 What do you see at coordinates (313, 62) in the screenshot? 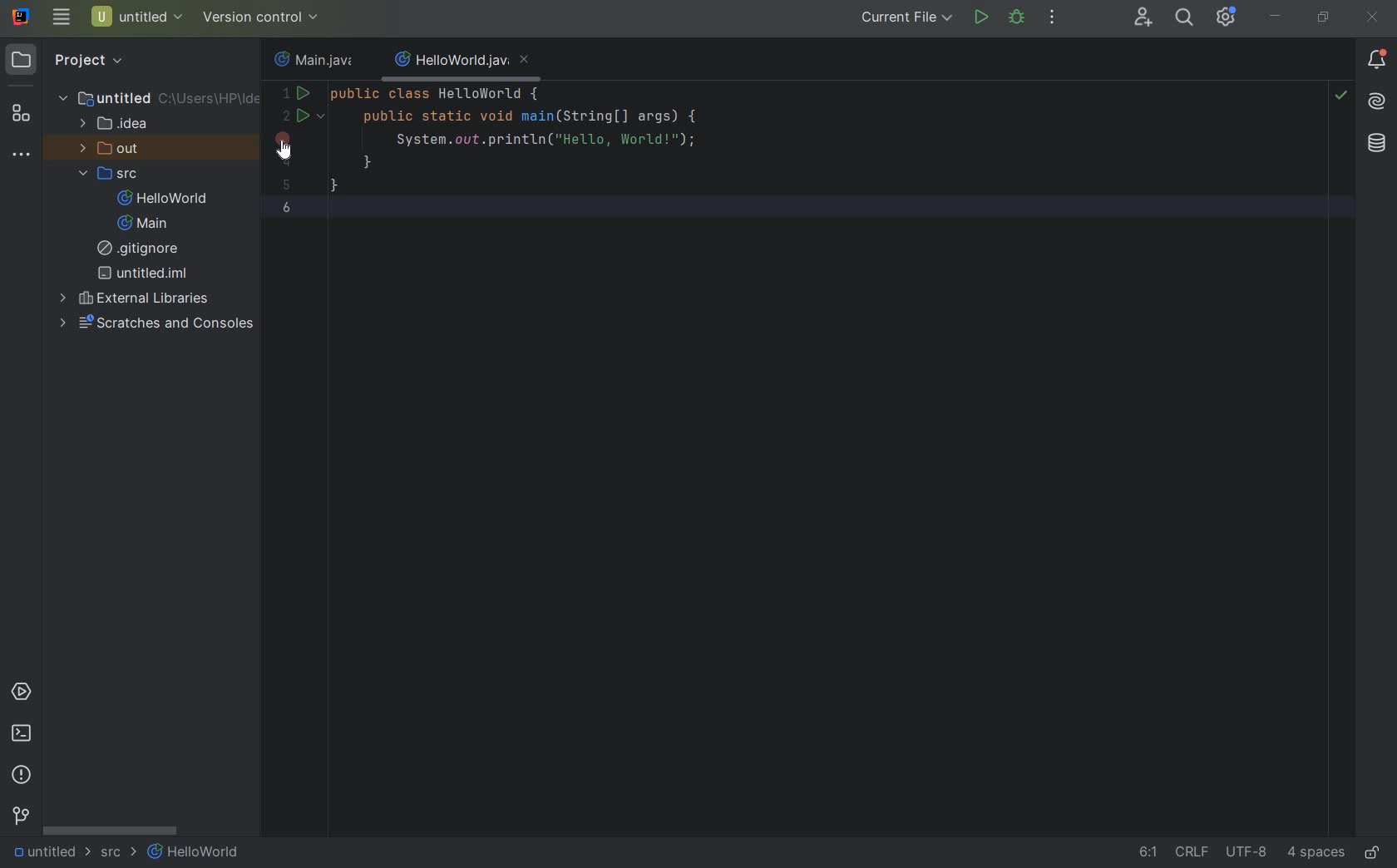
I see `filename` at bounding box center [313, 62].